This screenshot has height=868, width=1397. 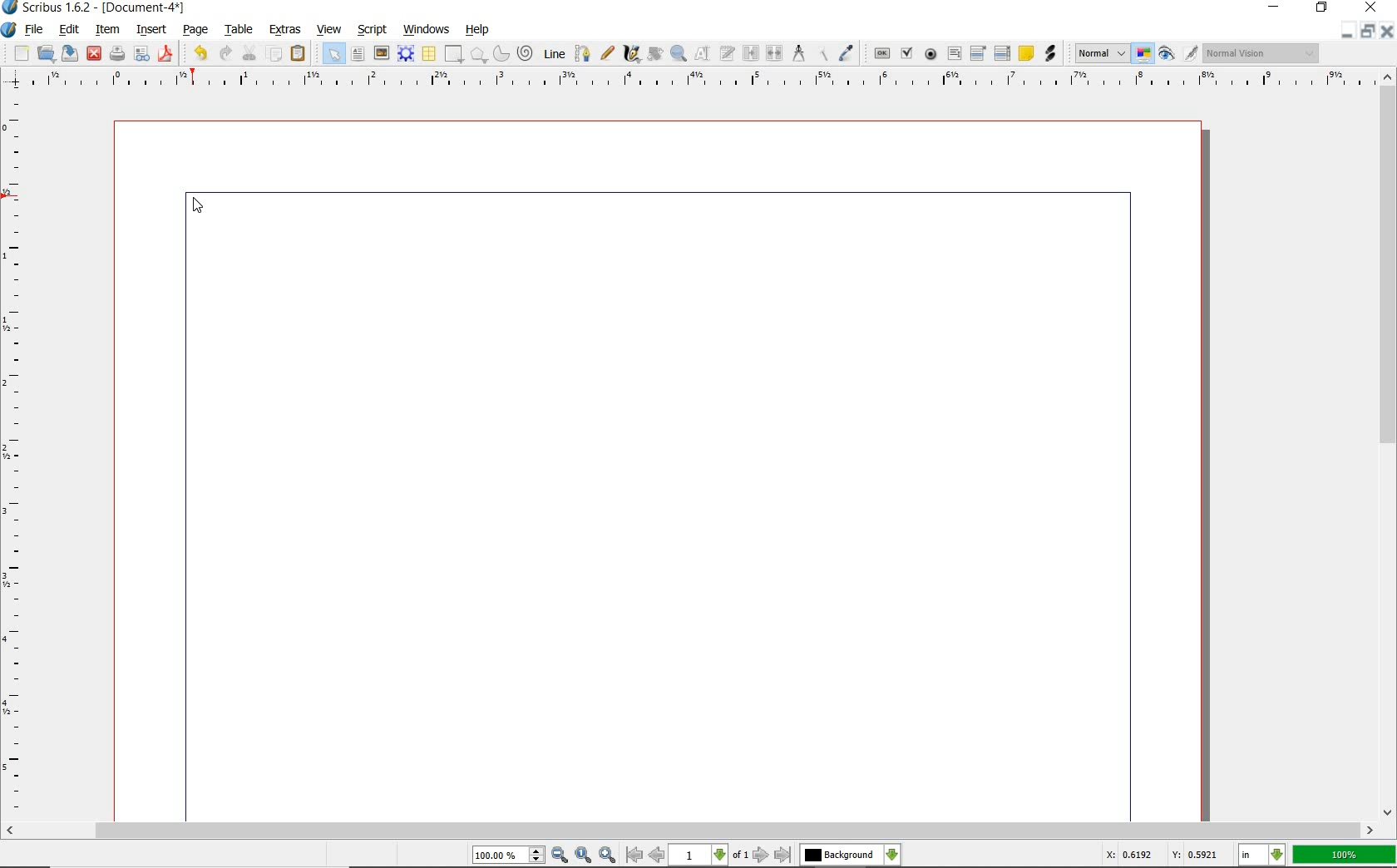 I want to click on minimize, so click(x=1350, y=32).